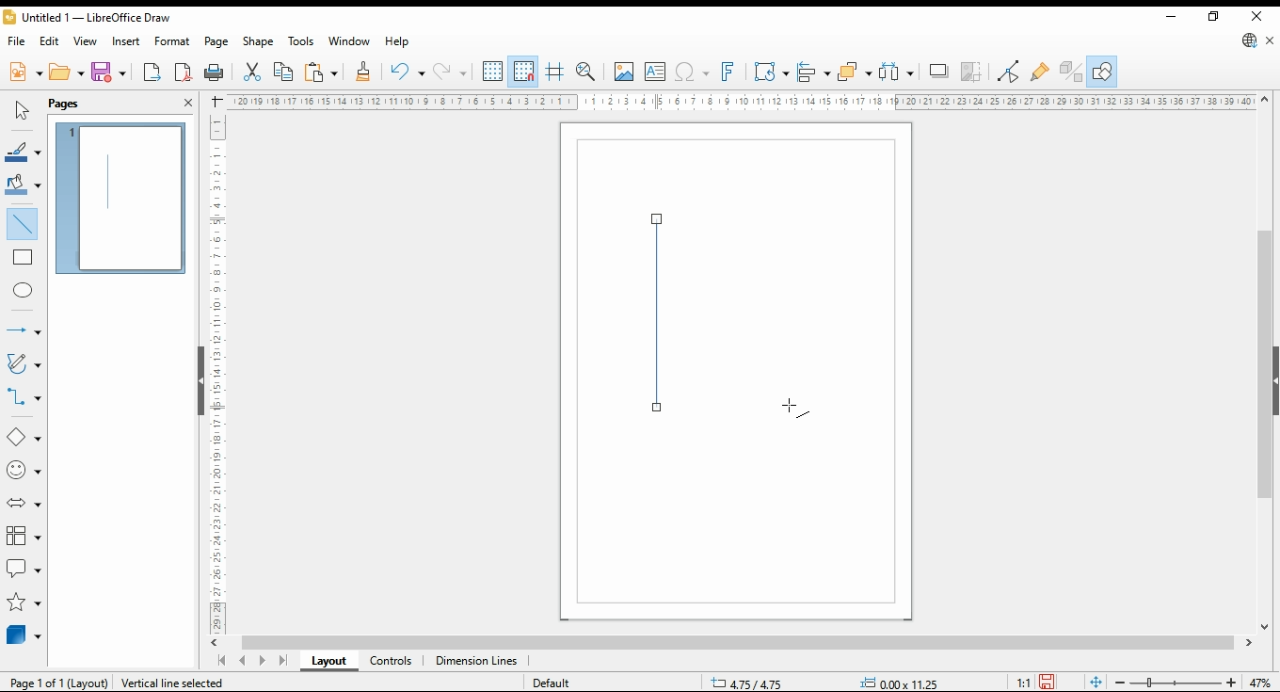  I want to click on crop, so click(974, 72).